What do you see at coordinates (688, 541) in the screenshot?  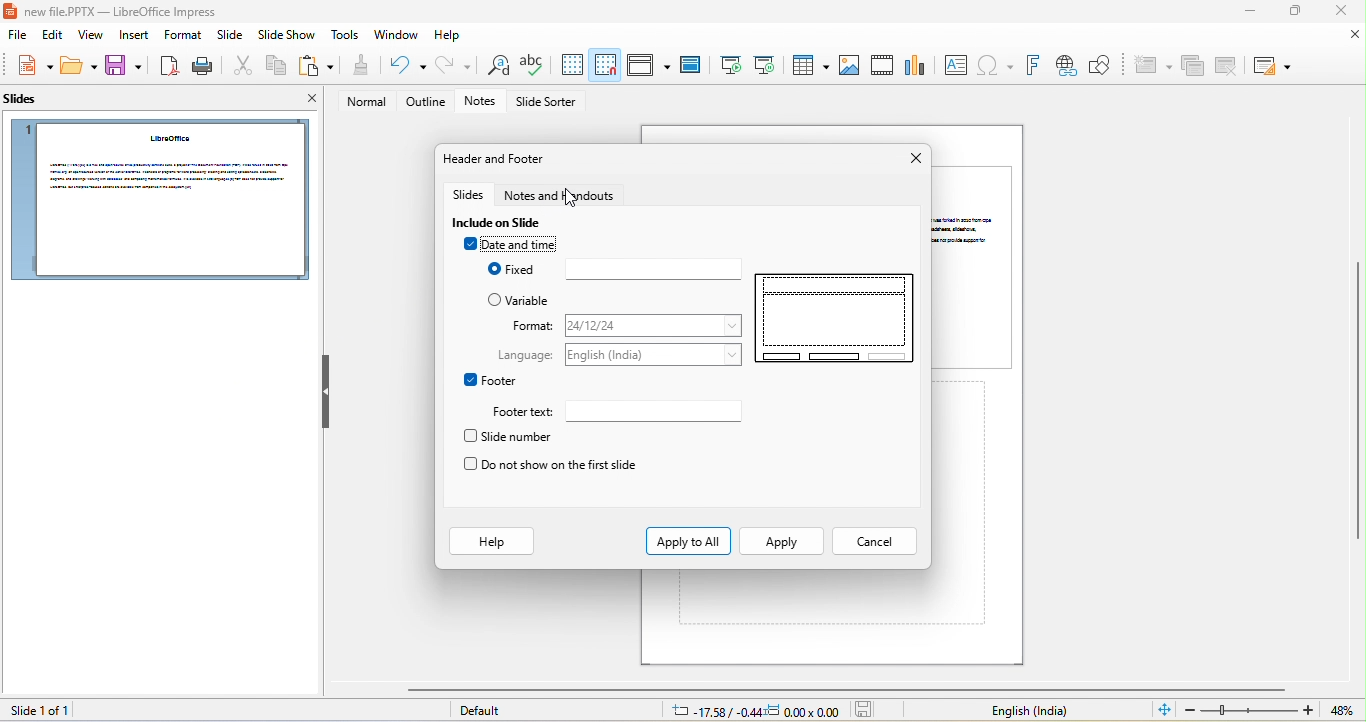 I see `apply to all` at bounding box center [688, 541].